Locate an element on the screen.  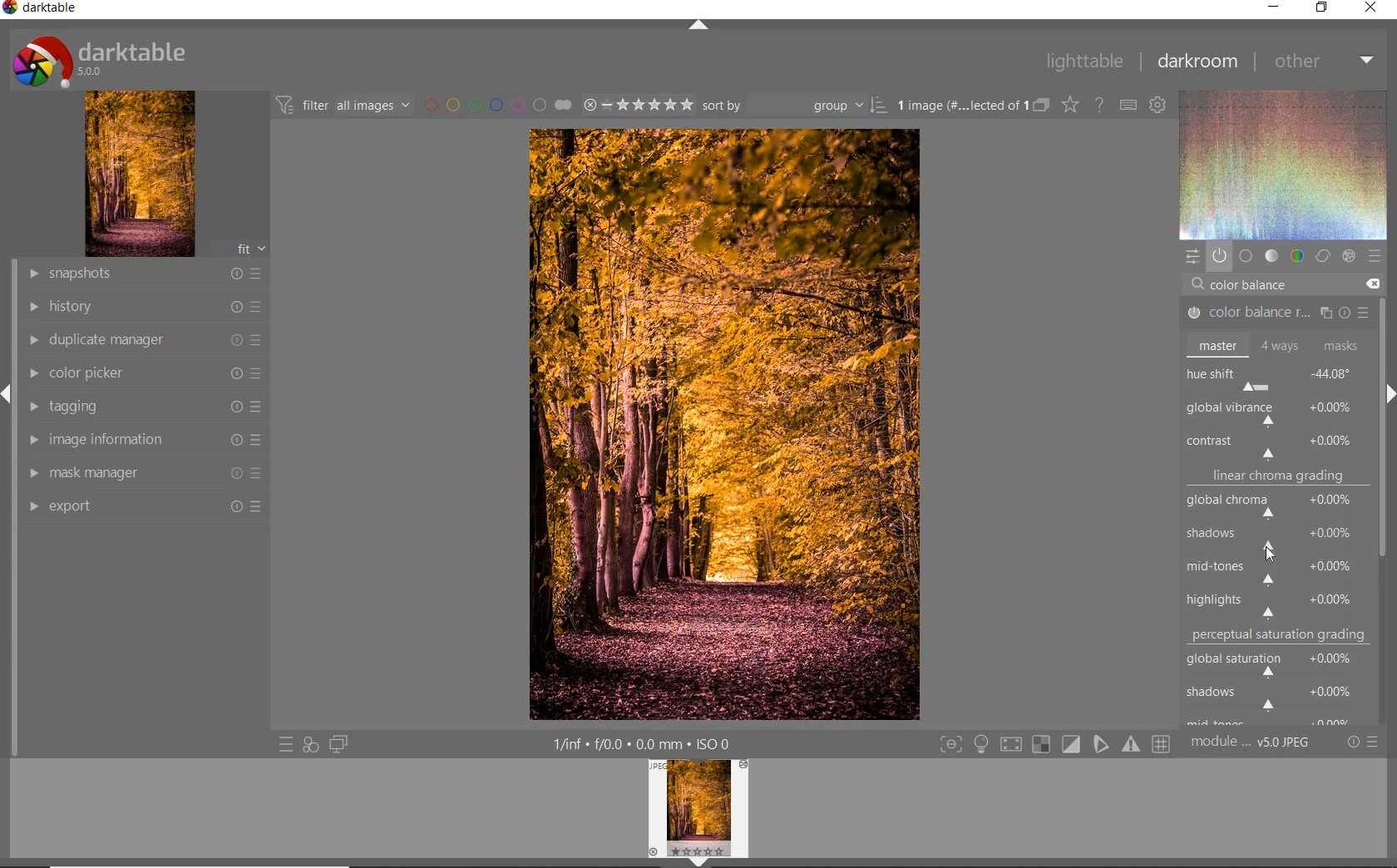
image is located at coordinates (141, 174).